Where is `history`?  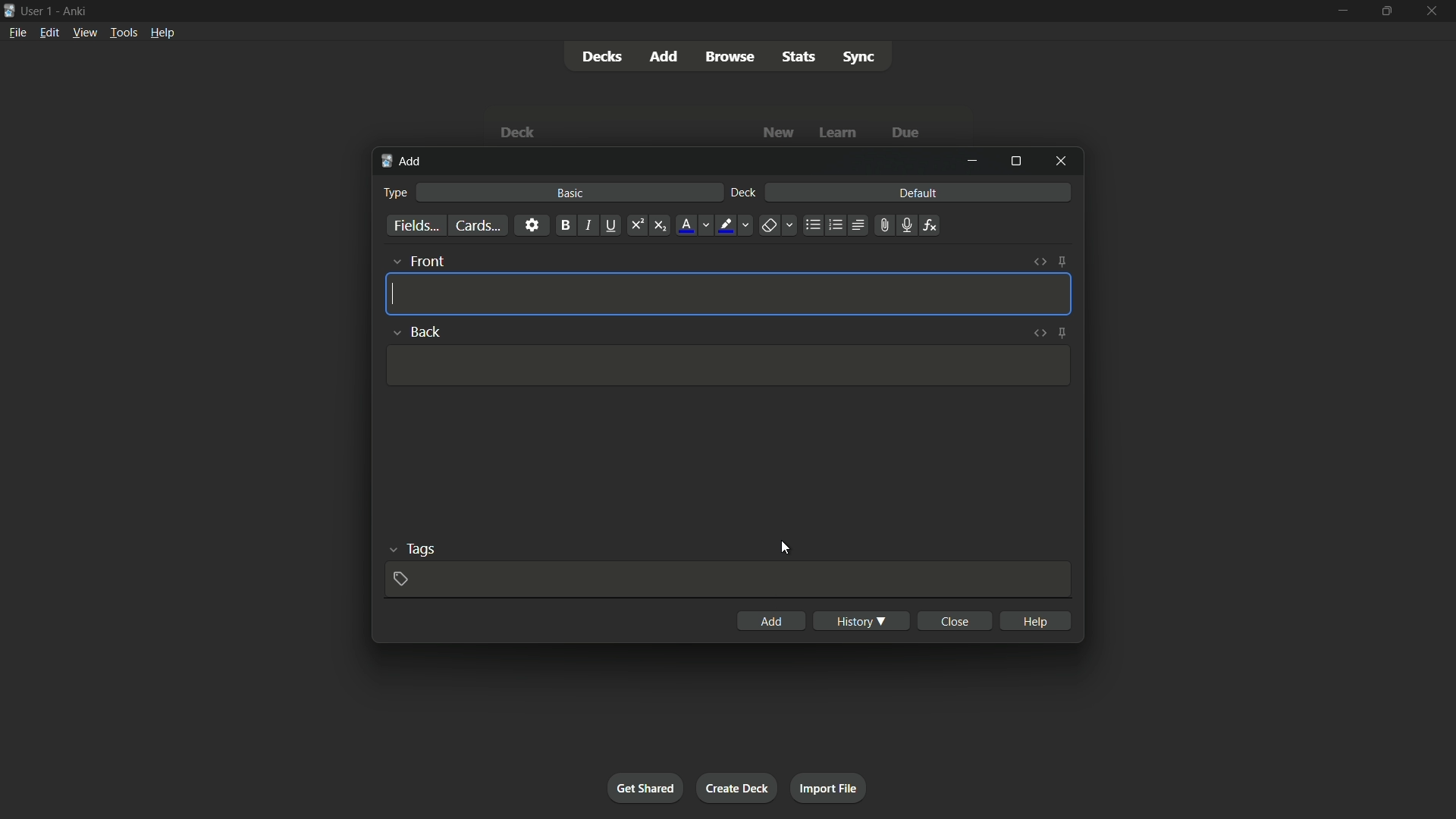
history is located at coordinates (859, 620).